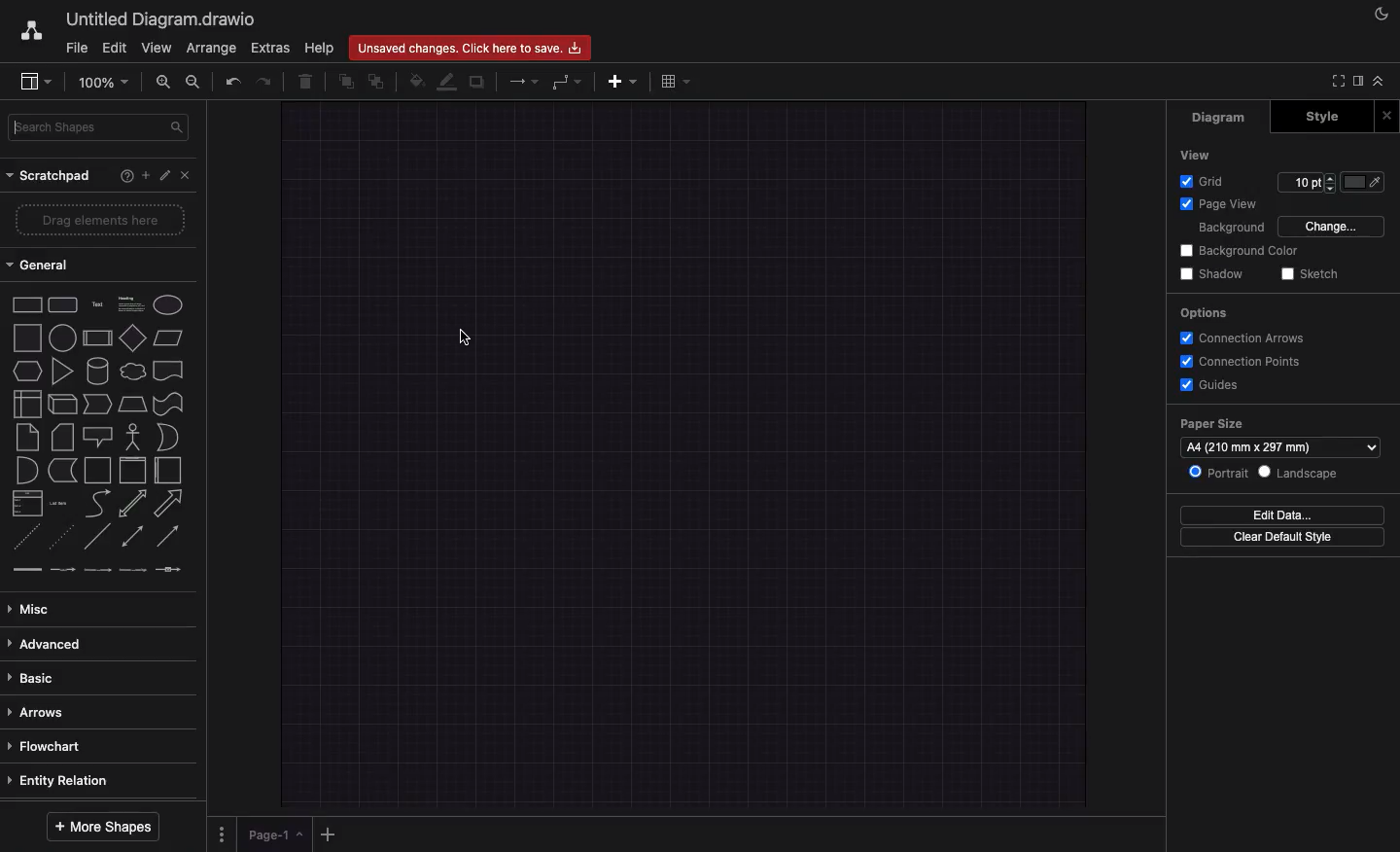  I want to click on Shapes, so click(100, 436).